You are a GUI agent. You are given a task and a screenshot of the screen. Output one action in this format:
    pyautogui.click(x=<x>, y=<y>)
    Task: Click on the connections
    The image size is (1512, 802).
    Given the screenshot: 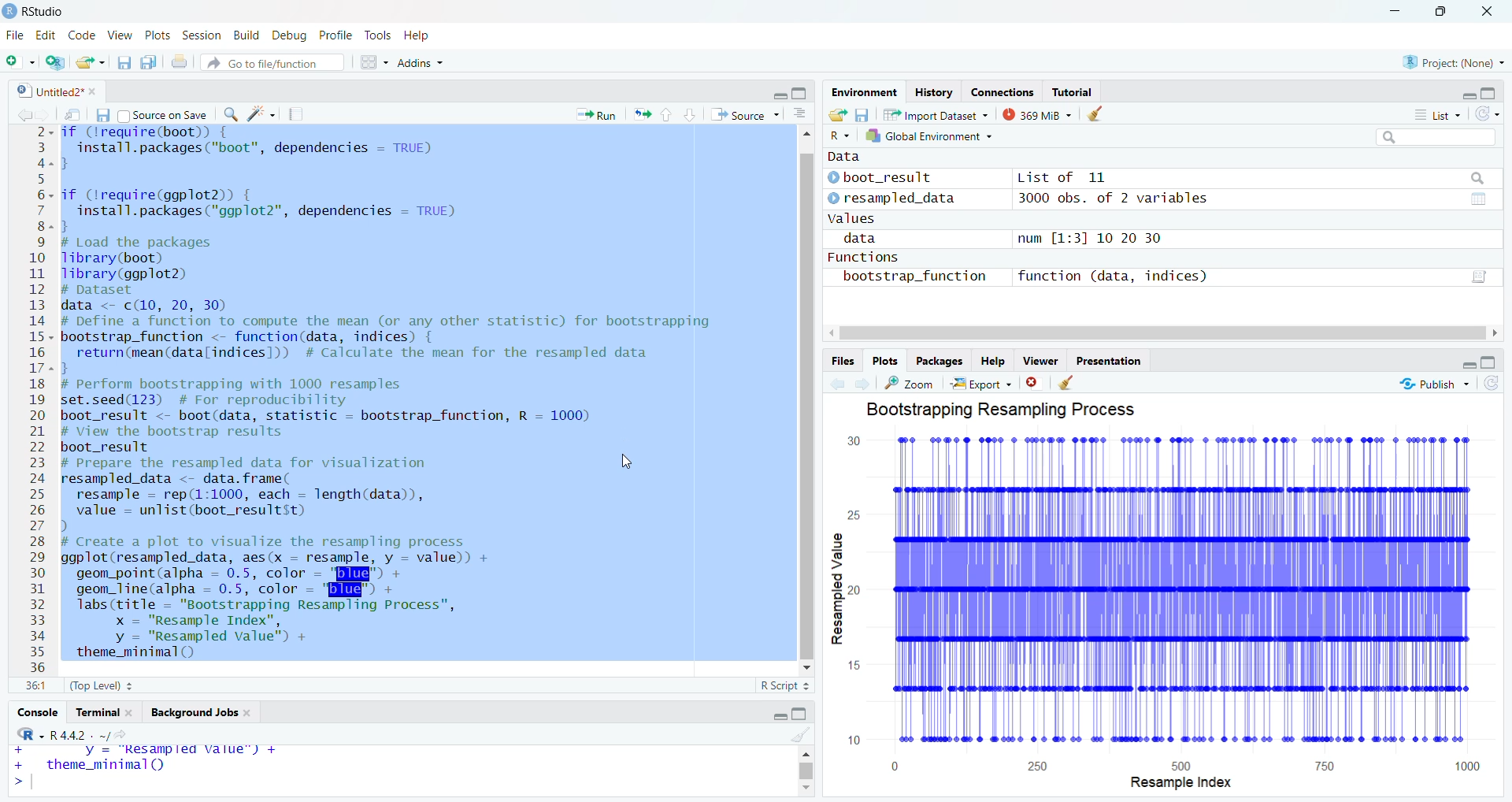 What is the action you would take?
    pyautogui.click(x=1000, y=91)
    